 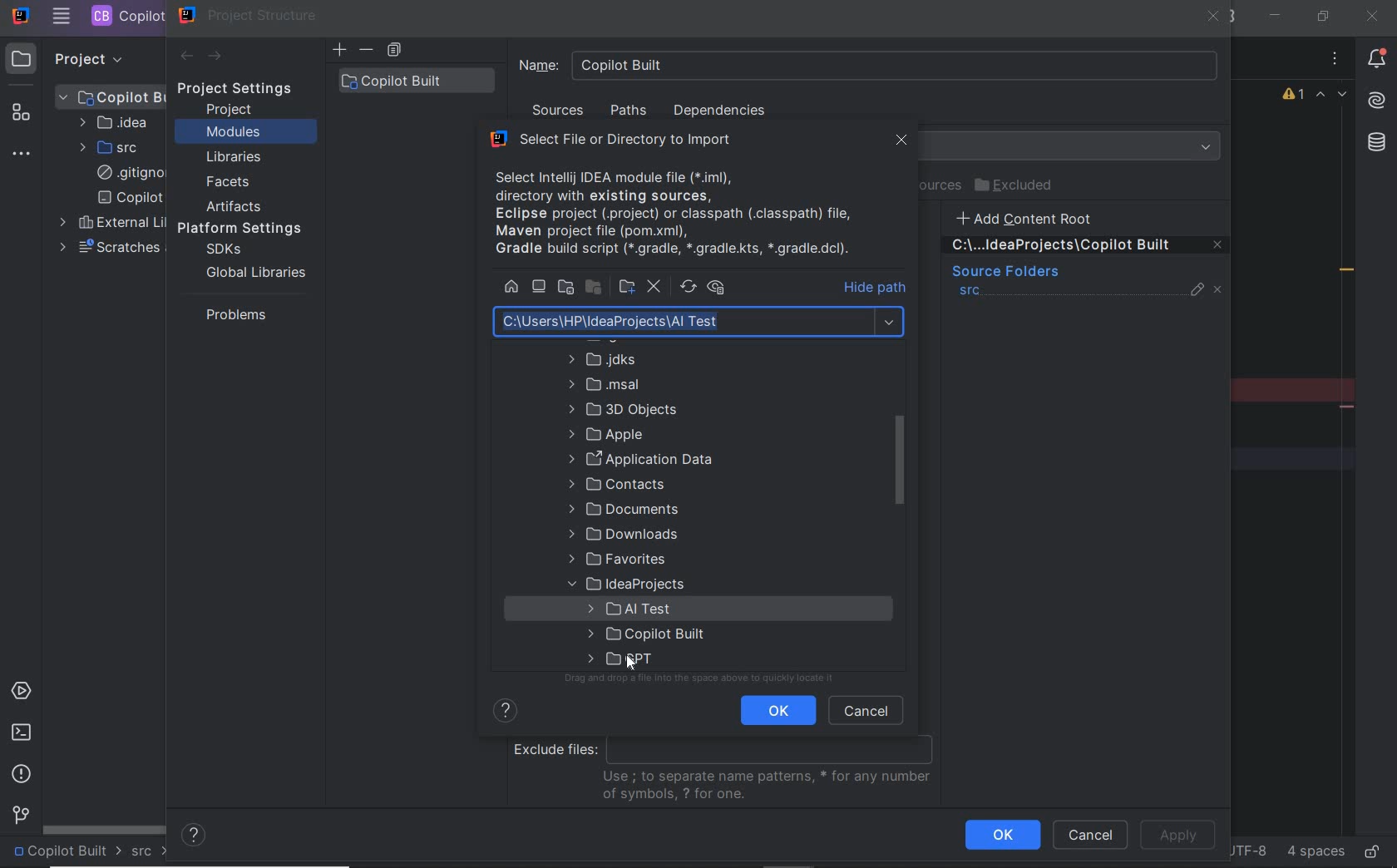 I want to click on libraries, so click(x=234, y=158).